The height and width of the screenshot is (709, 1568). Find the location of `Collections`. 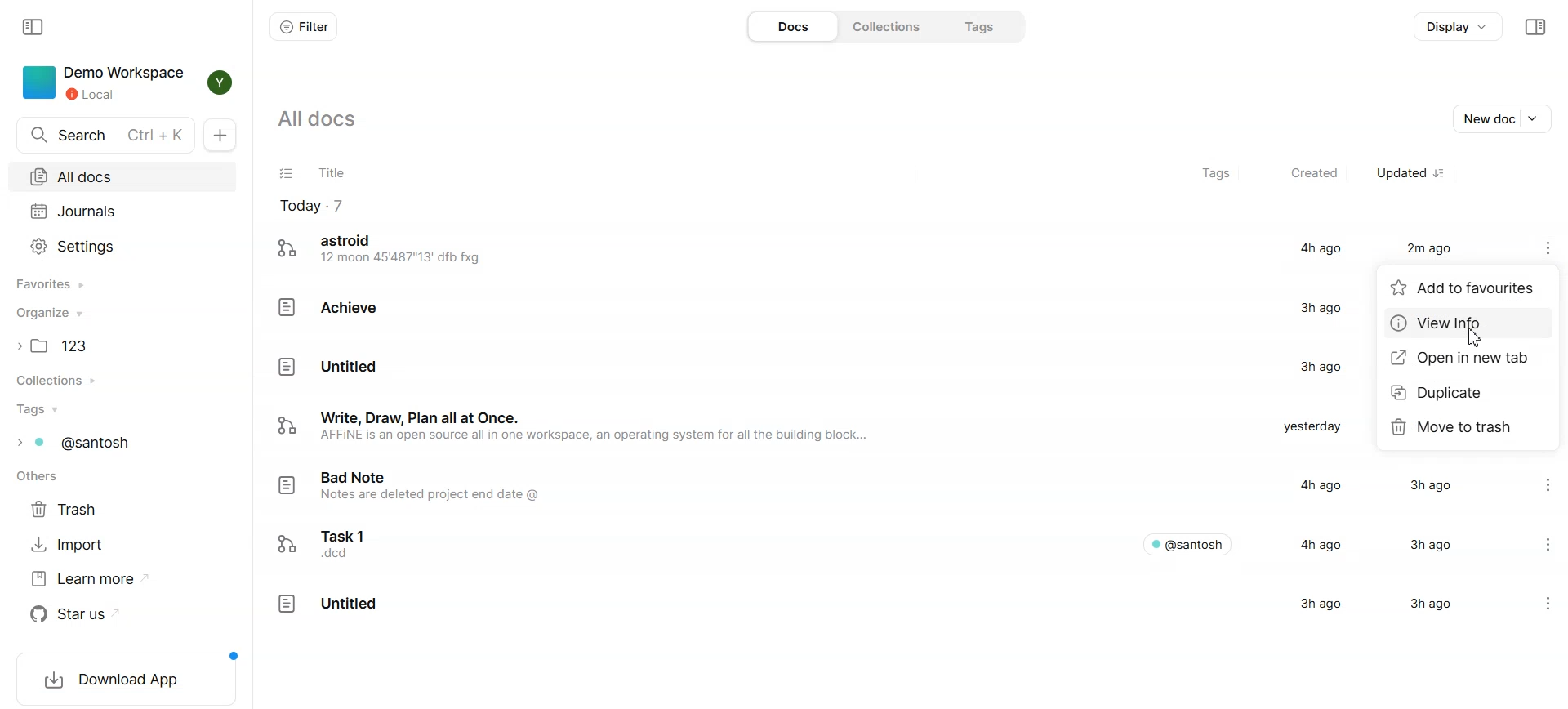

Collections is located at coordinates (888, 27).